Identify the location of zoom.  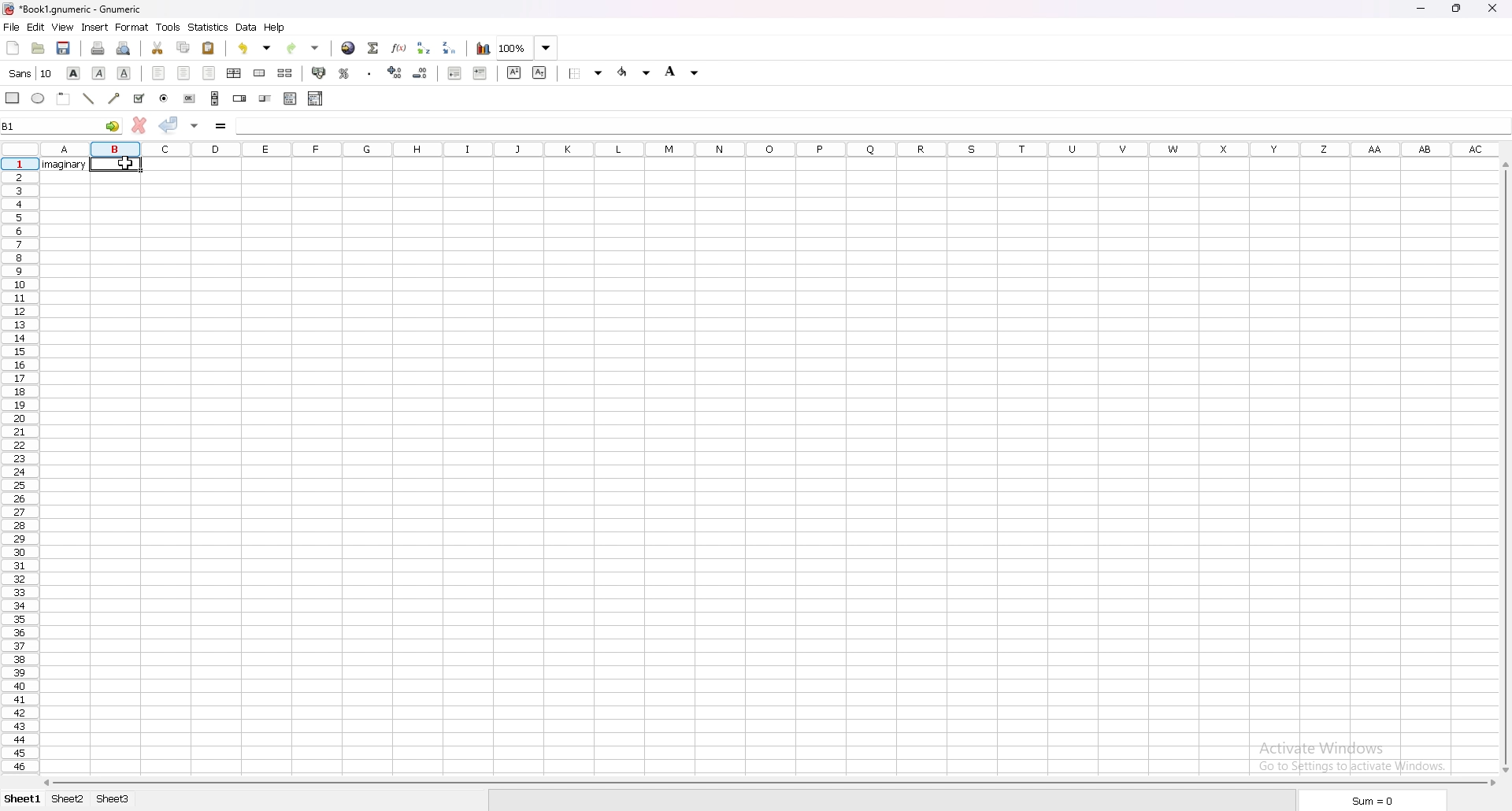
(527, 47).